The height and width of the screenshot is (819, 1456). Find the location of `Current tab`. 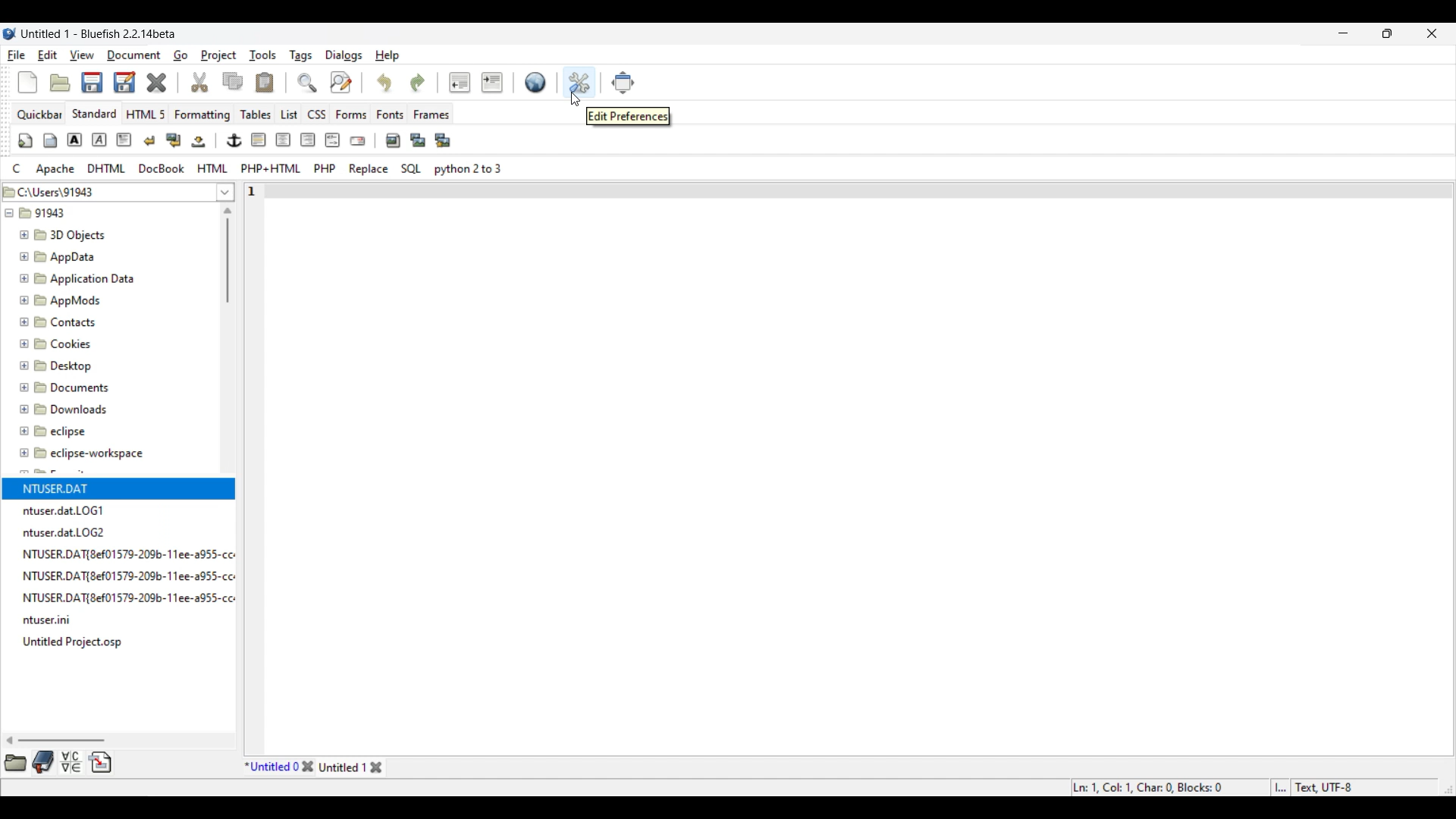

Current tab is located at coordinates (271, 767).